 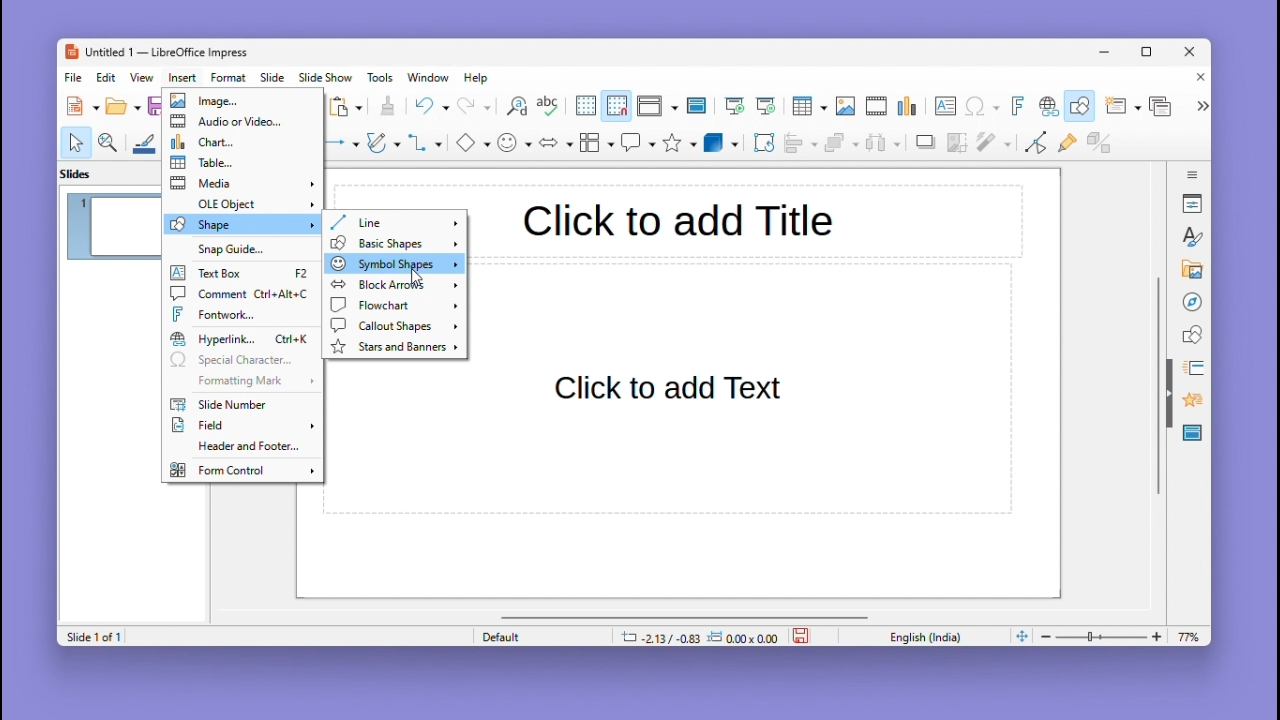 I want to click on Double arrow, so click(x=556, y=141).